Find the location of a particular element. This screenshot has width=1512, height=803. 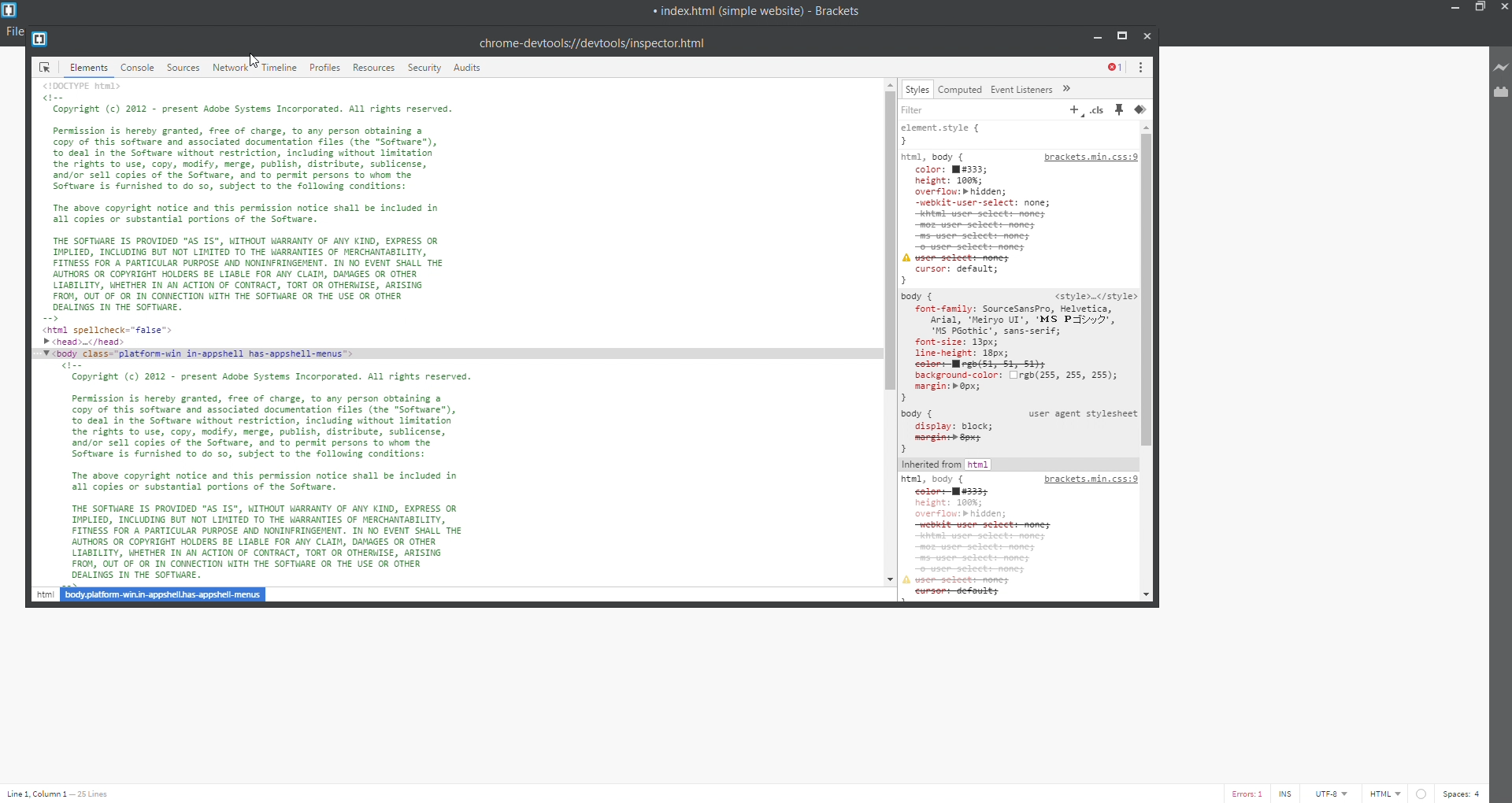

add  is located at coordinates (1079, 111).